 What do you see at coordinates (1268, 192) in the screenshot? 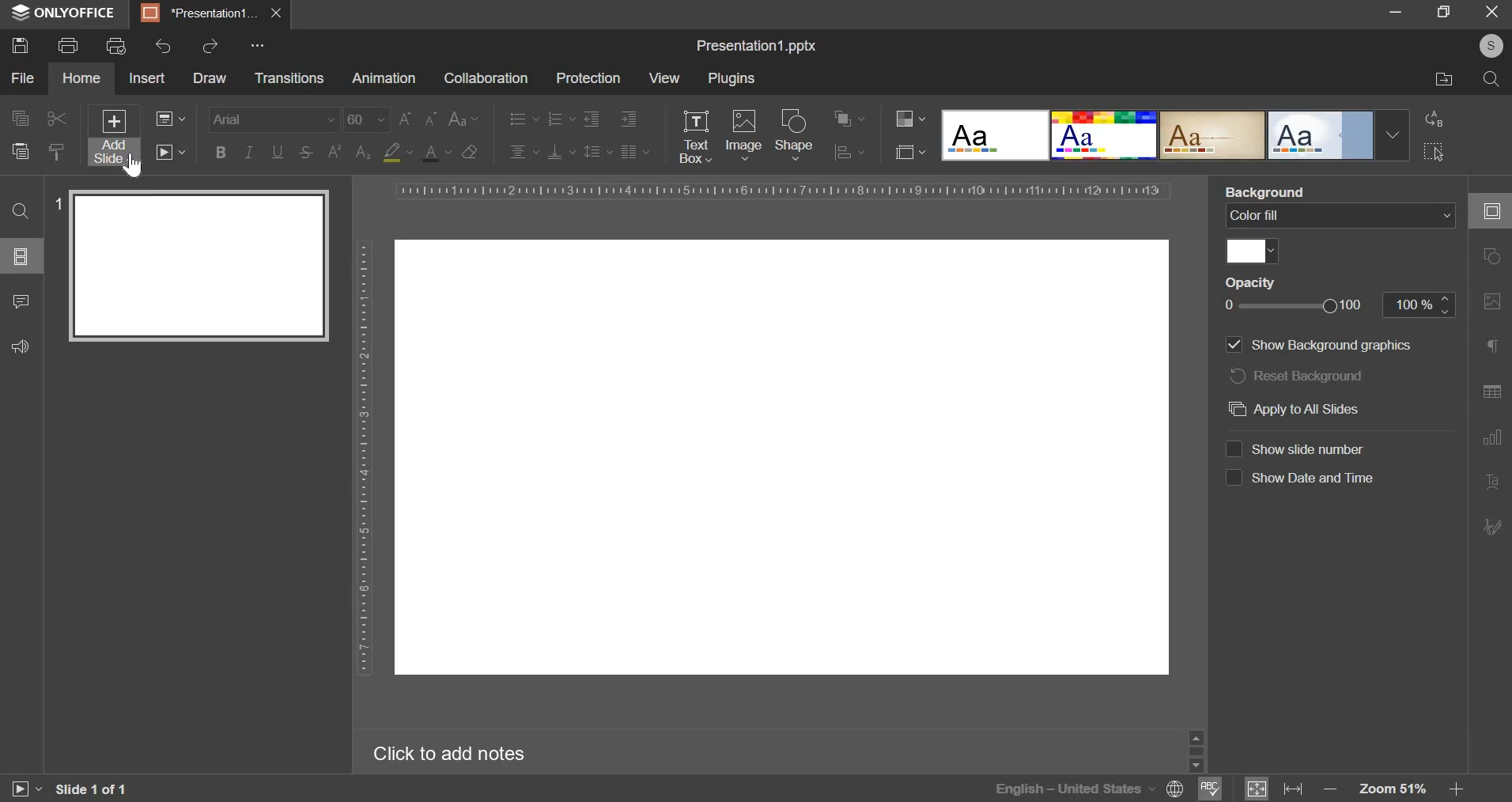
I see `background` at bounding box center [1268, 192].